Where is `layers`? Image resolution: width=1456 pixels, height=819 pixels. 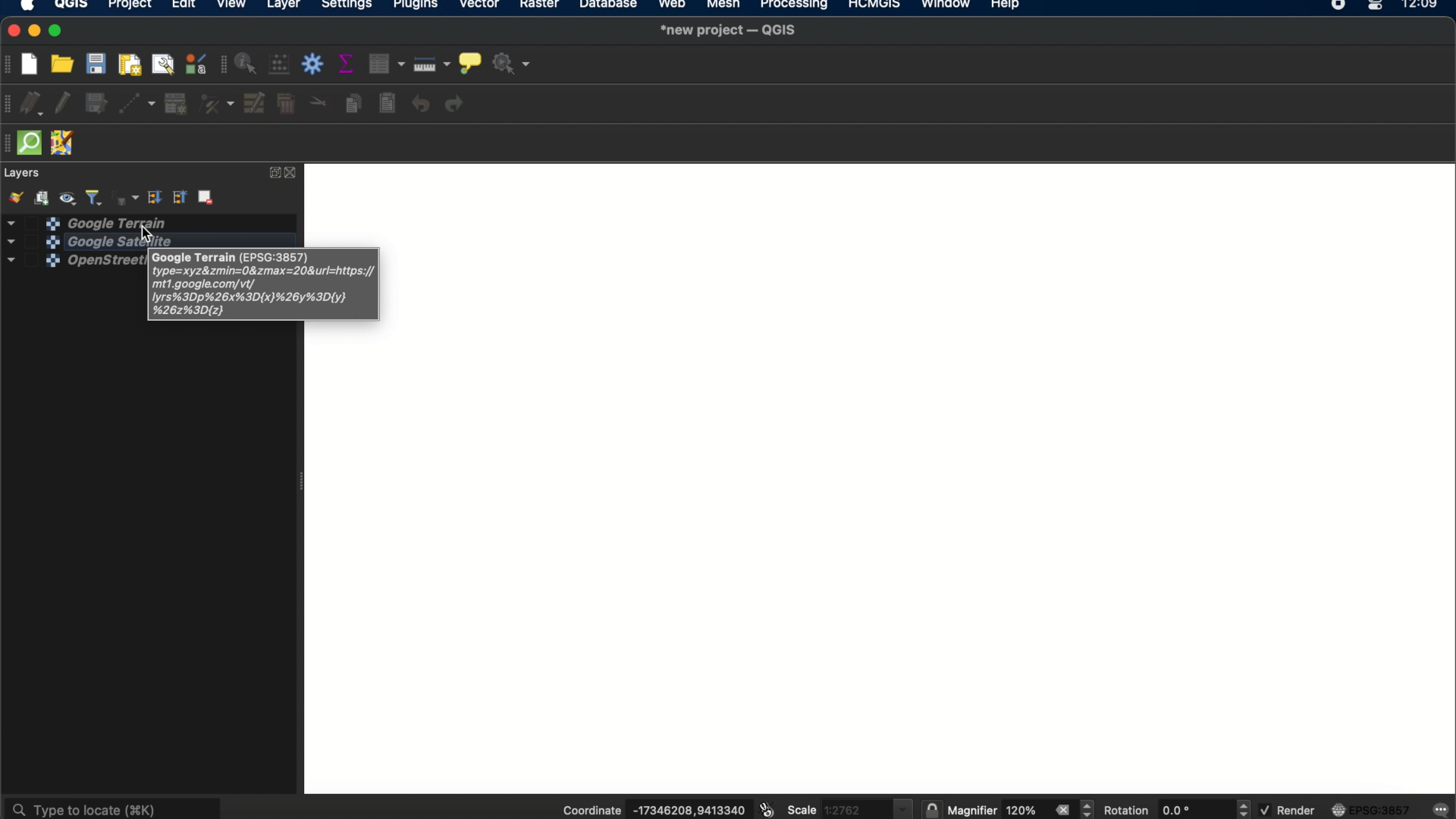 layers is located at coordinates (24, 173).